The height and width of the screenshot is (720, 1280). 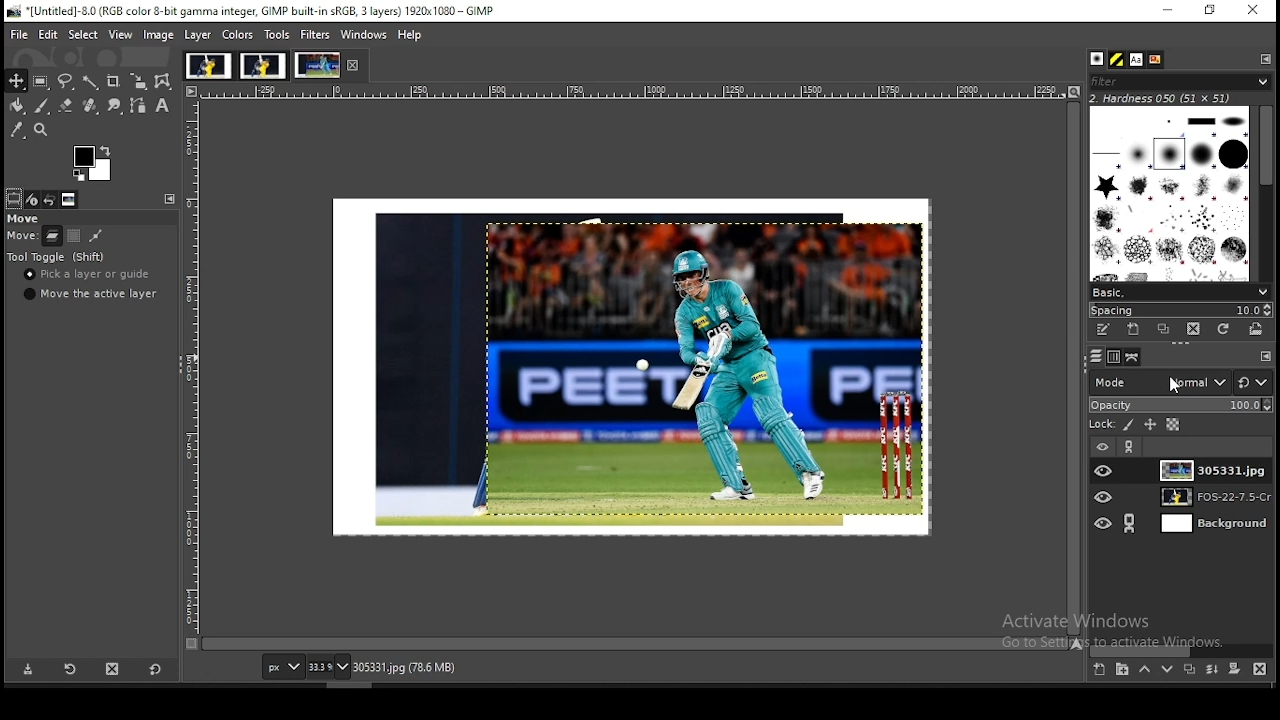 I want to click on filters, so click(x=315, y=33).